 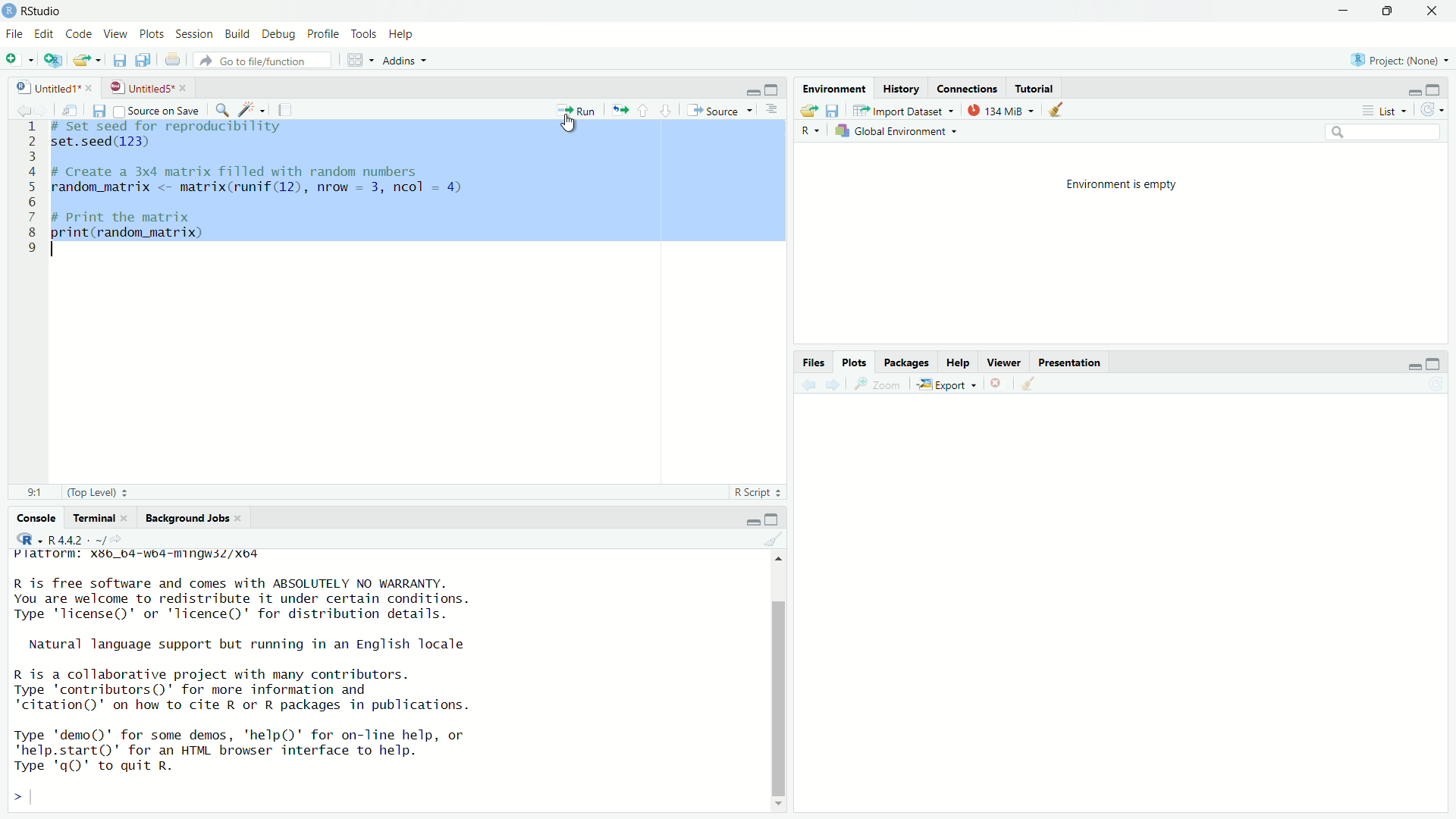 I want to click on maximise, so click(x=1439, y=364).